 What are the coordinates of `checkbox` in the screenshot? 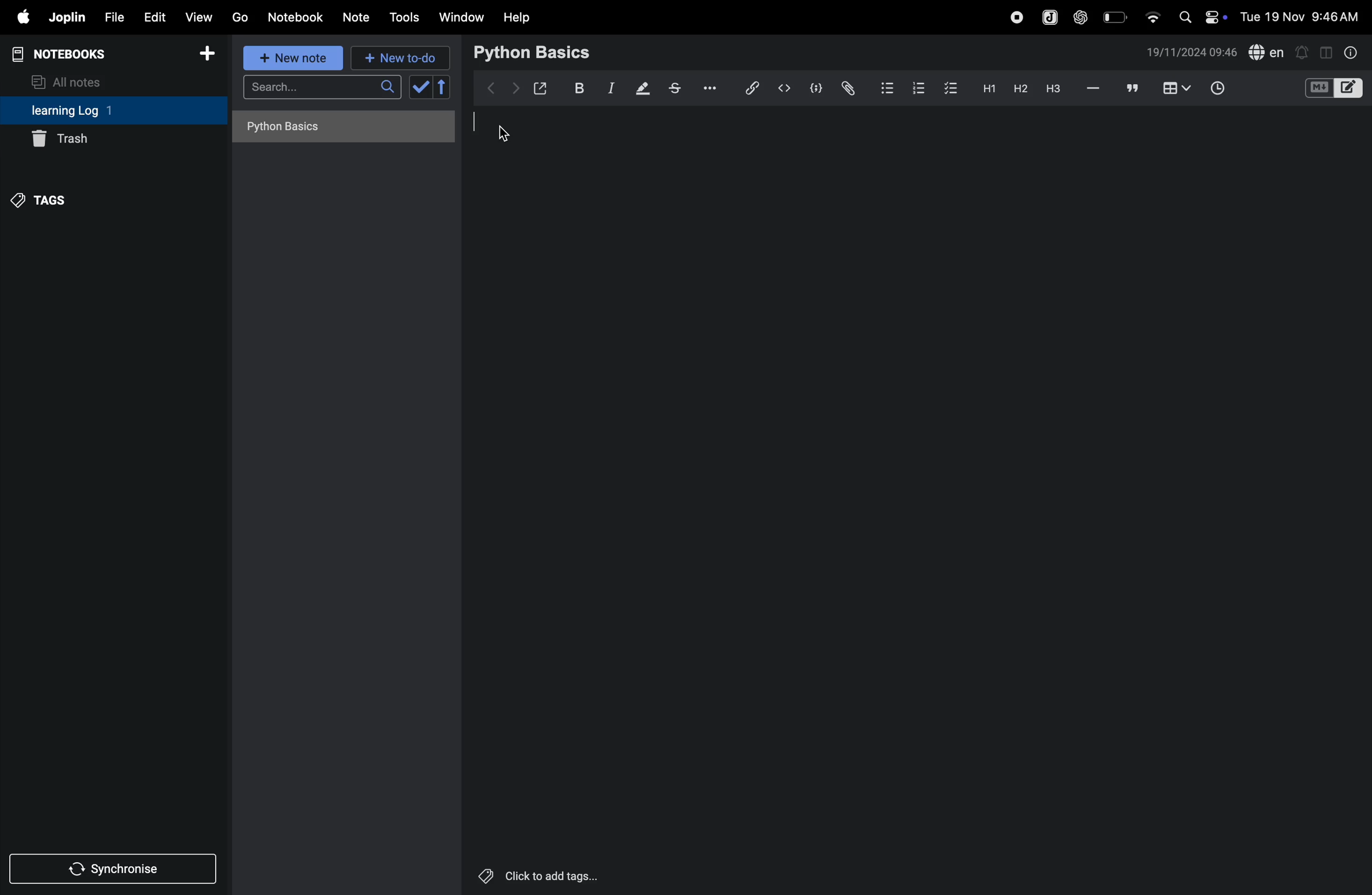 It's located at (949, 87).